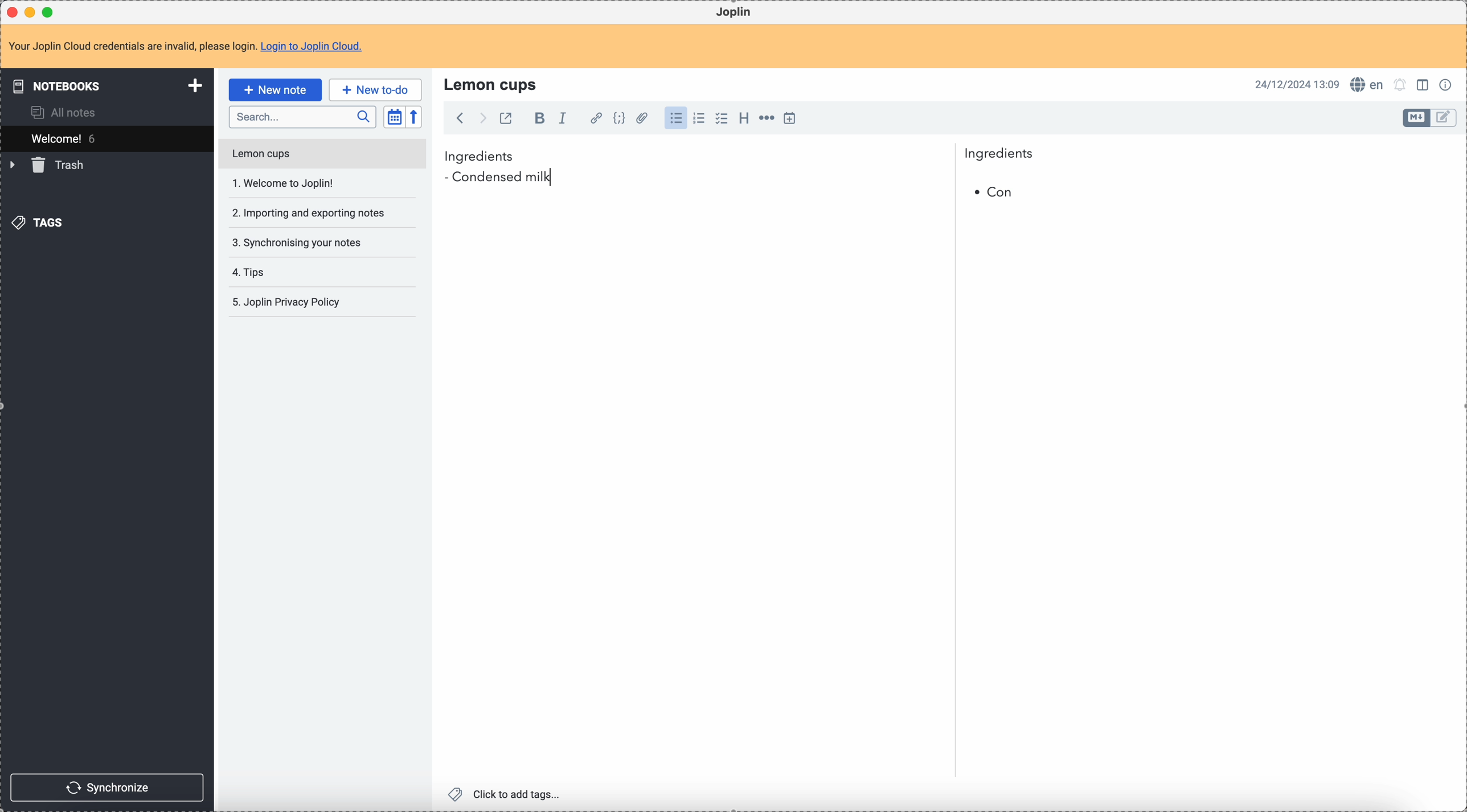 The width and height of the screenshot is (1467, 812). I want to click on trash, so click(49, 165).